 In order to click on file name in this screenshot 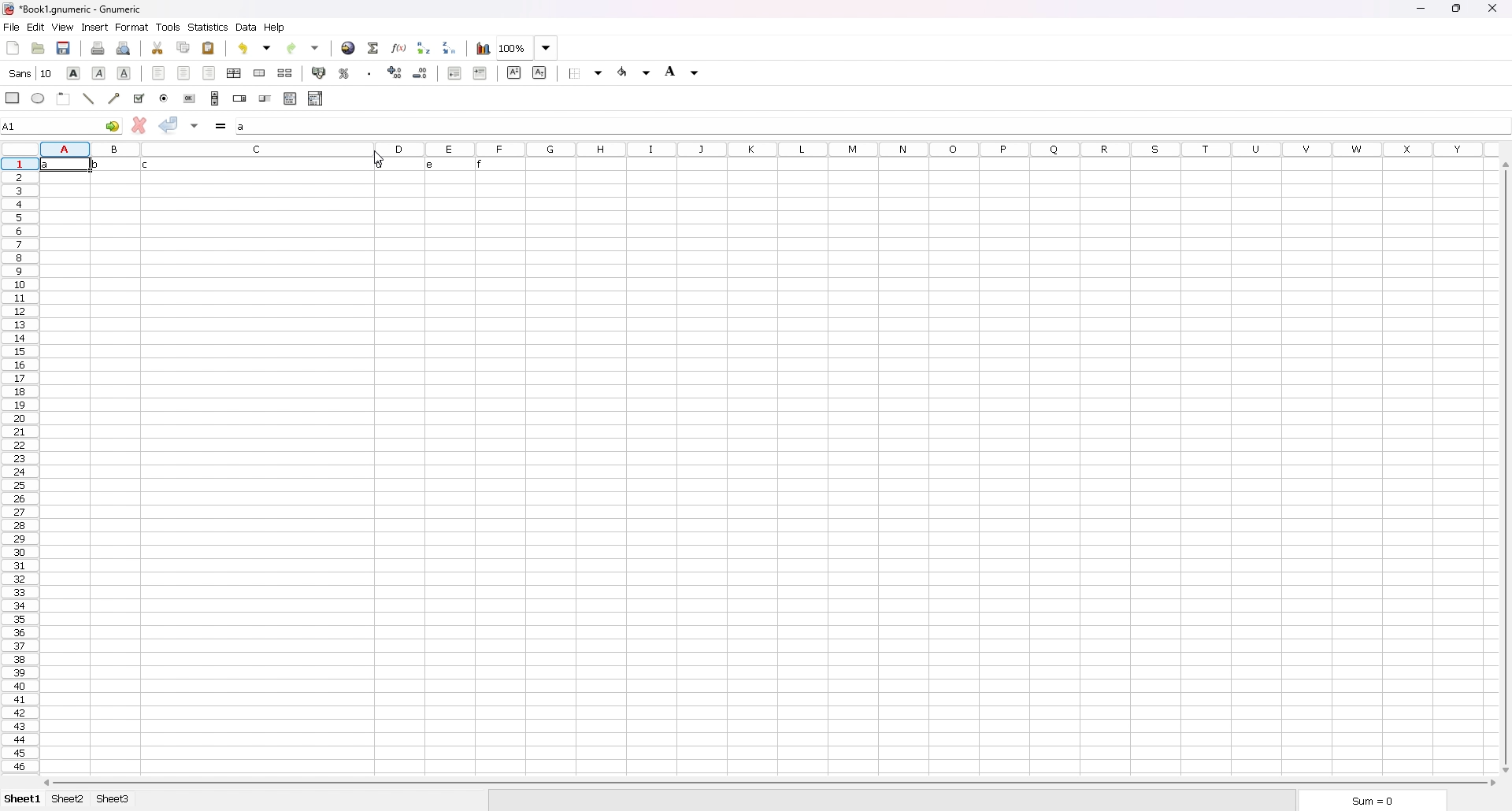, I will do `click(74, 9)`.